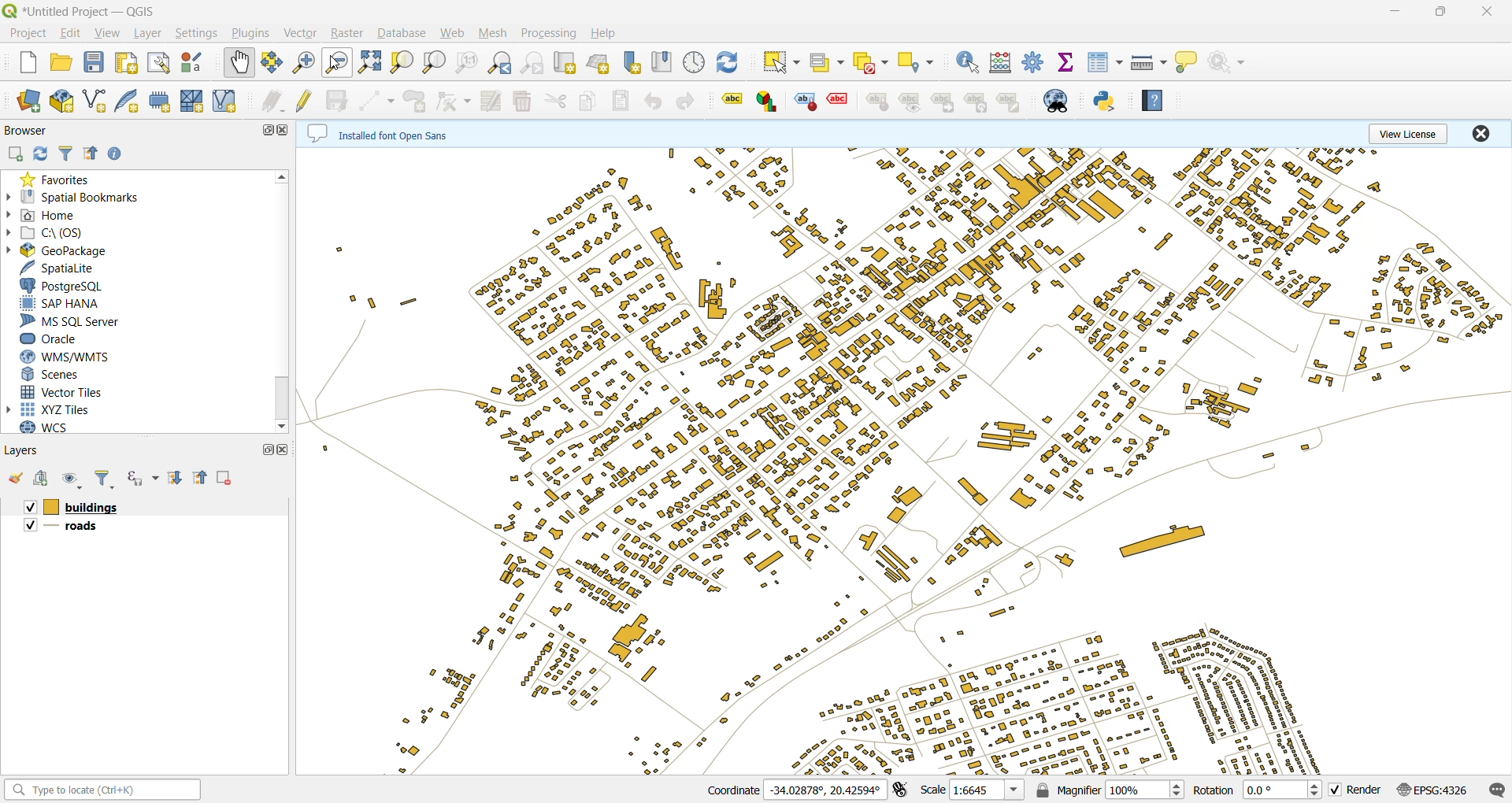  I want to click on browser, so click(29, 130).